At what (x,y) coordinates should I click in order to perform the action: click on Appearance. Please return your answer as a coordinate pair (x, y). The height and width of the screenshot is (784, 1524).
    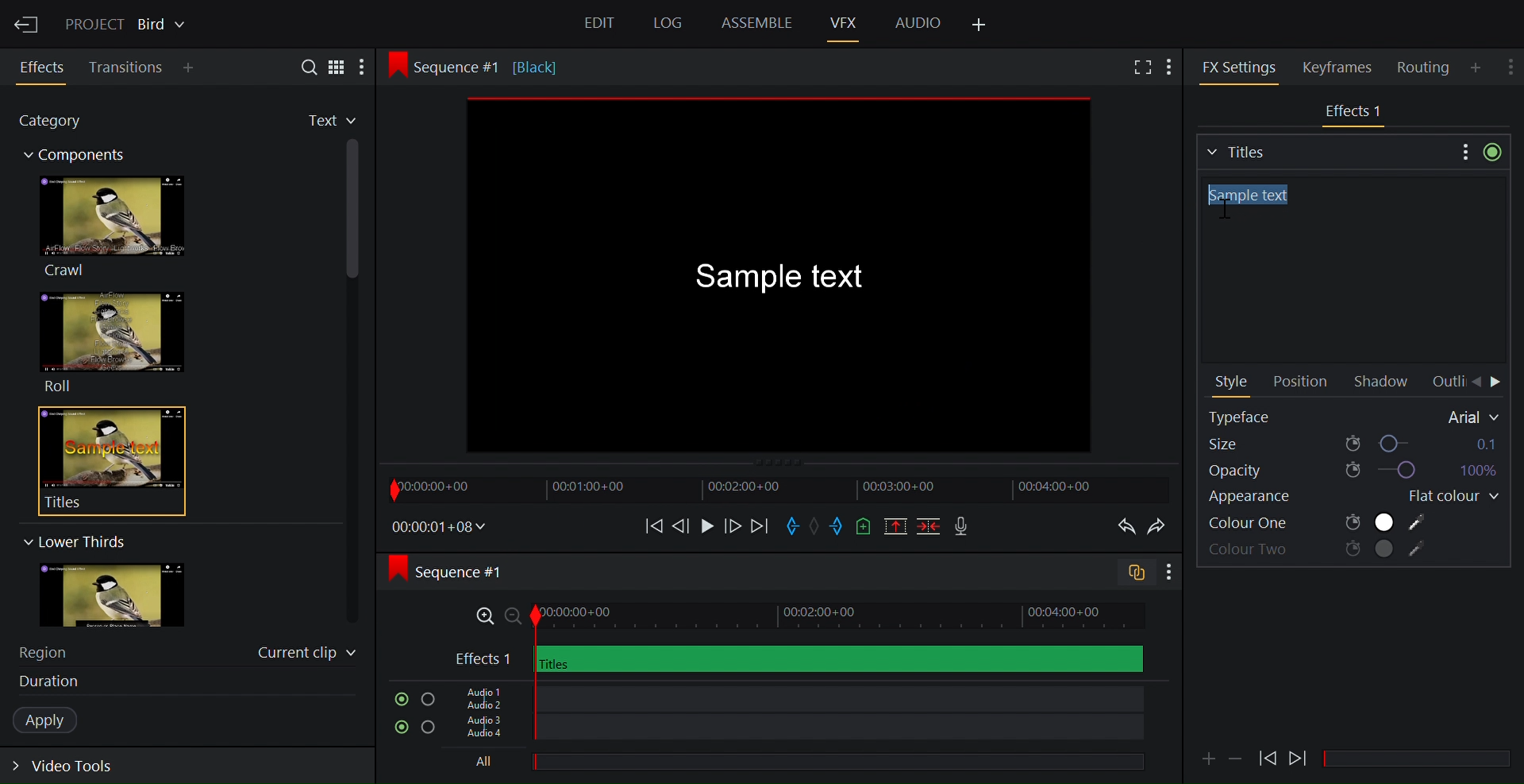
    Looking at the image, I should click on (1268, 499).